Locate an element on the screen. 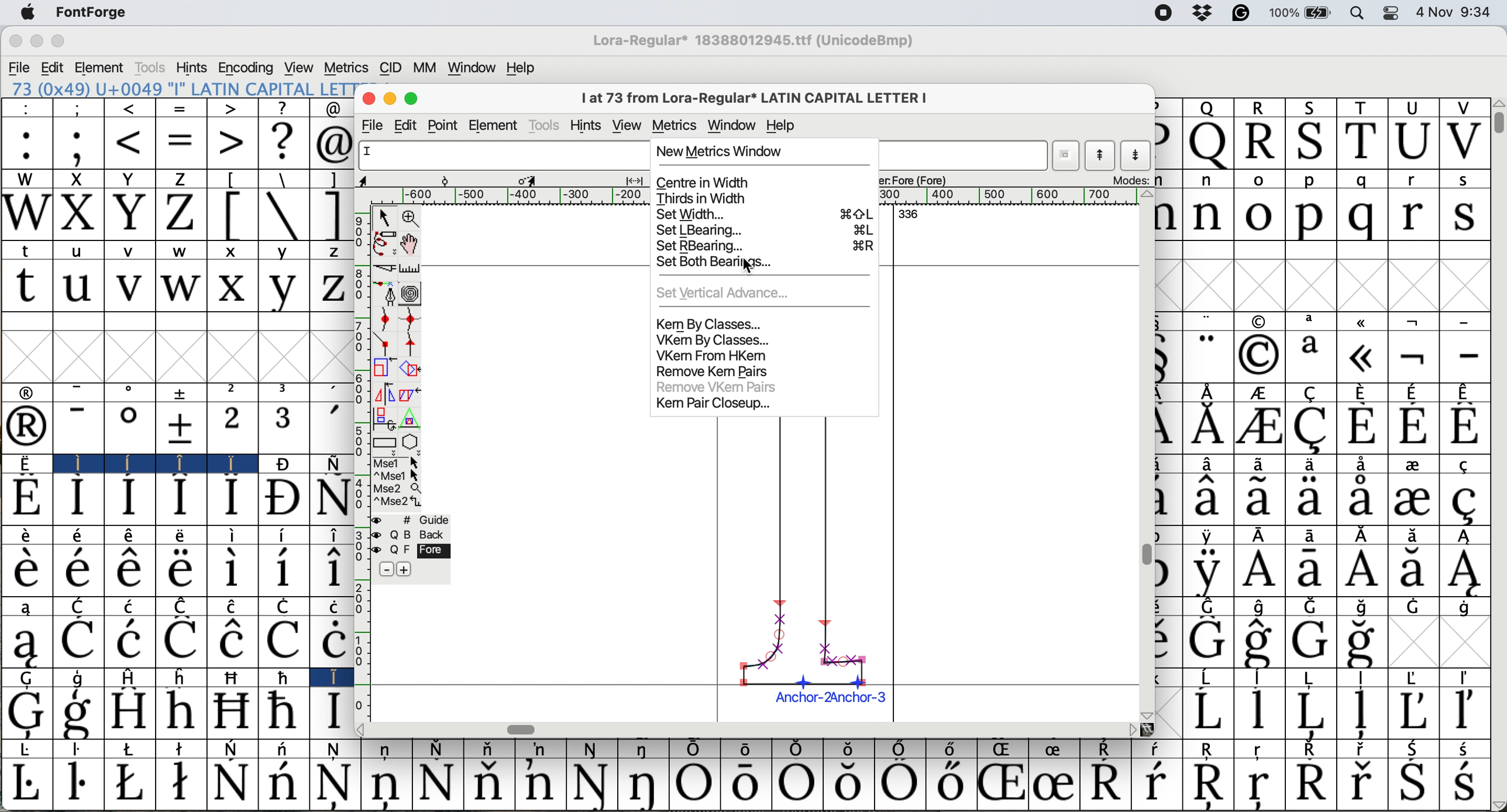 This screenshot has width=1507, height=812. Symbol is located at coordinates (26, 534).